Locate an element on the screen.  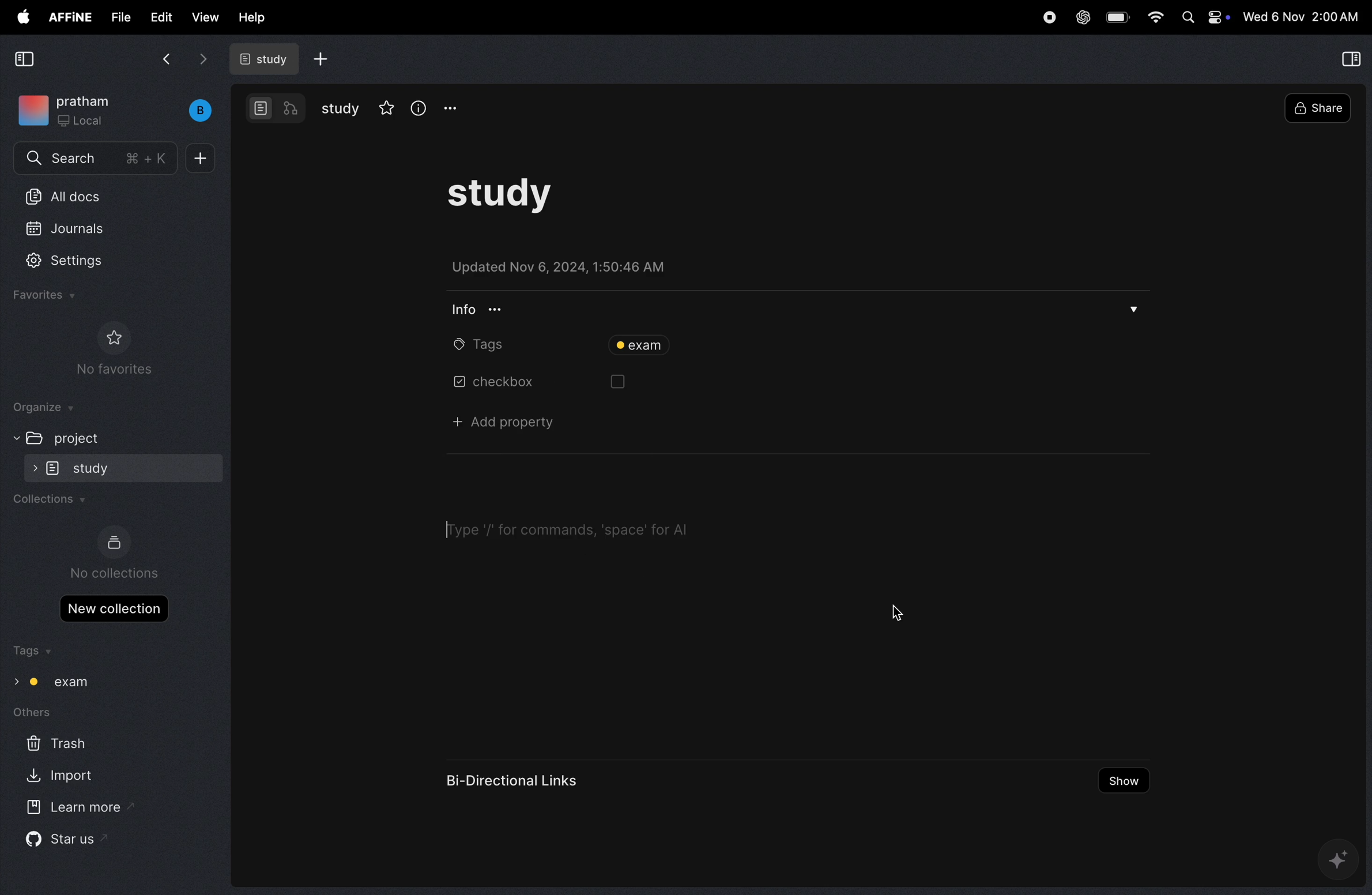
updated is located at coordinates (561, 265).